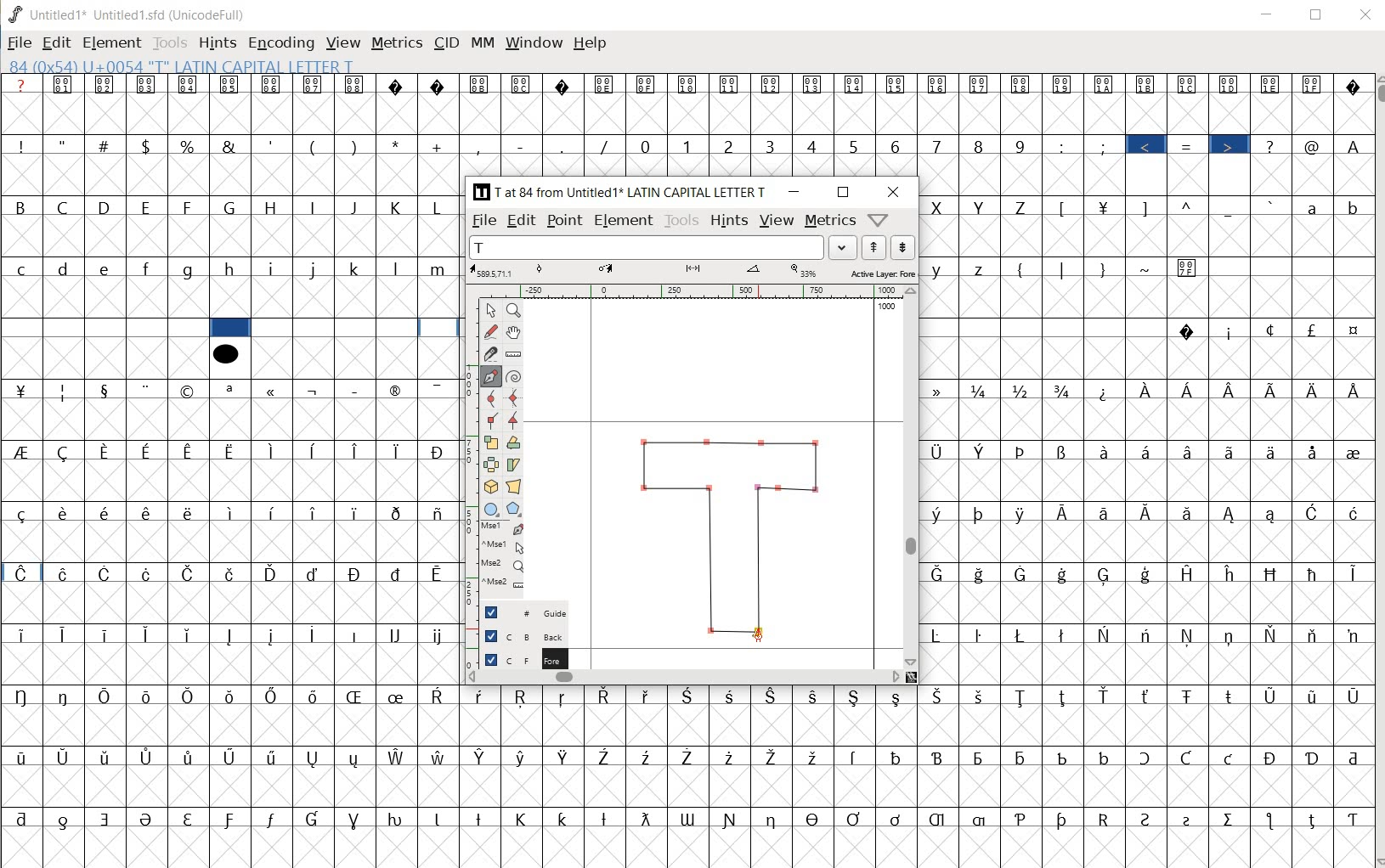 This screenshot has height=868, width=1385. What do you see at coordinates (400, 144) in the screenshot?
I see `*` at bounding box center [400, 144].